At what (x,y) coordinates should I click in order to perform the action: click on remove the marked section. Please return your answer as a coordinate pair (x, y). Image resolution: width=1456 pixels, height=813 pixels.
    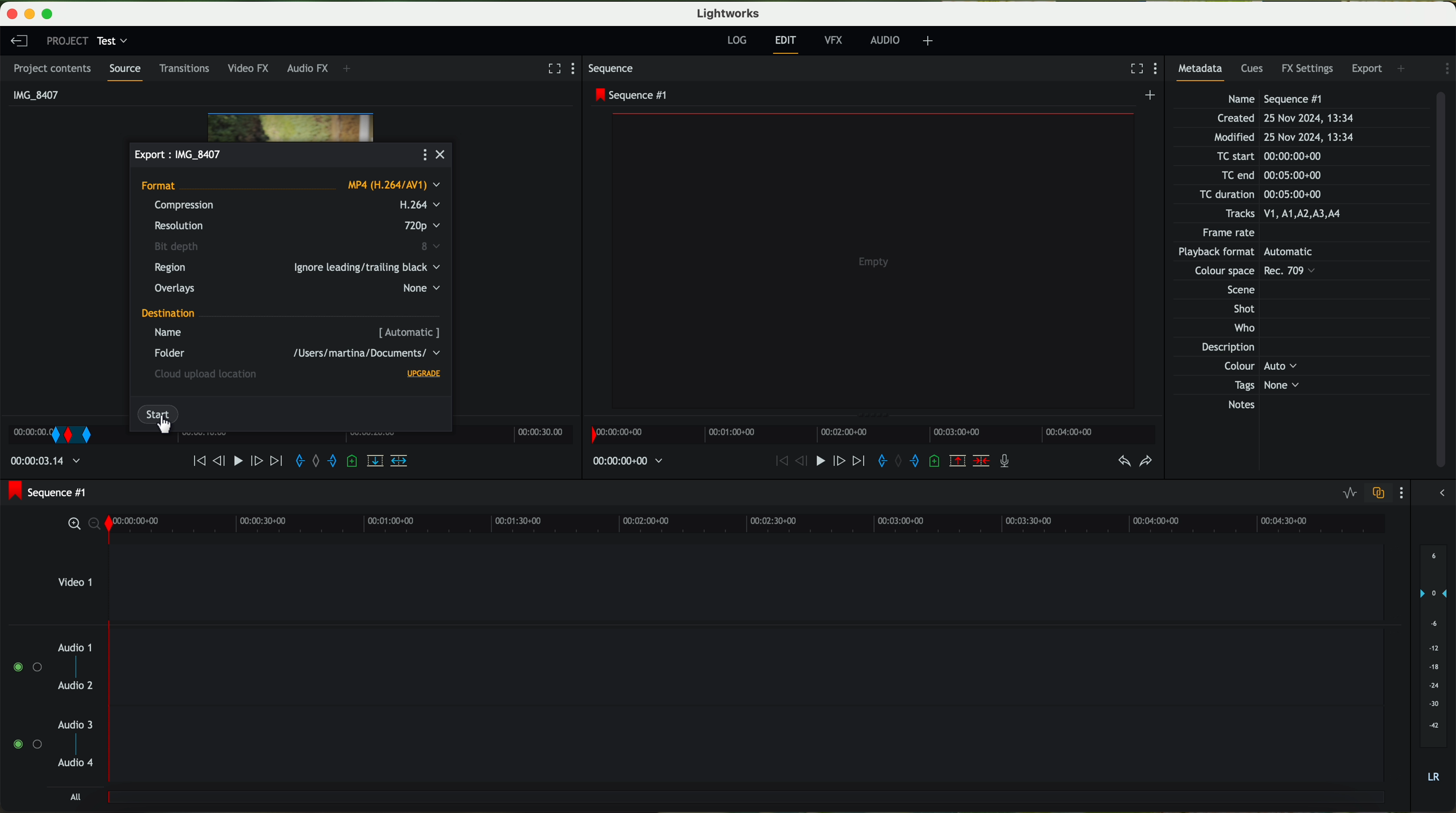
    Looking at the image, I should click on (959, 462).